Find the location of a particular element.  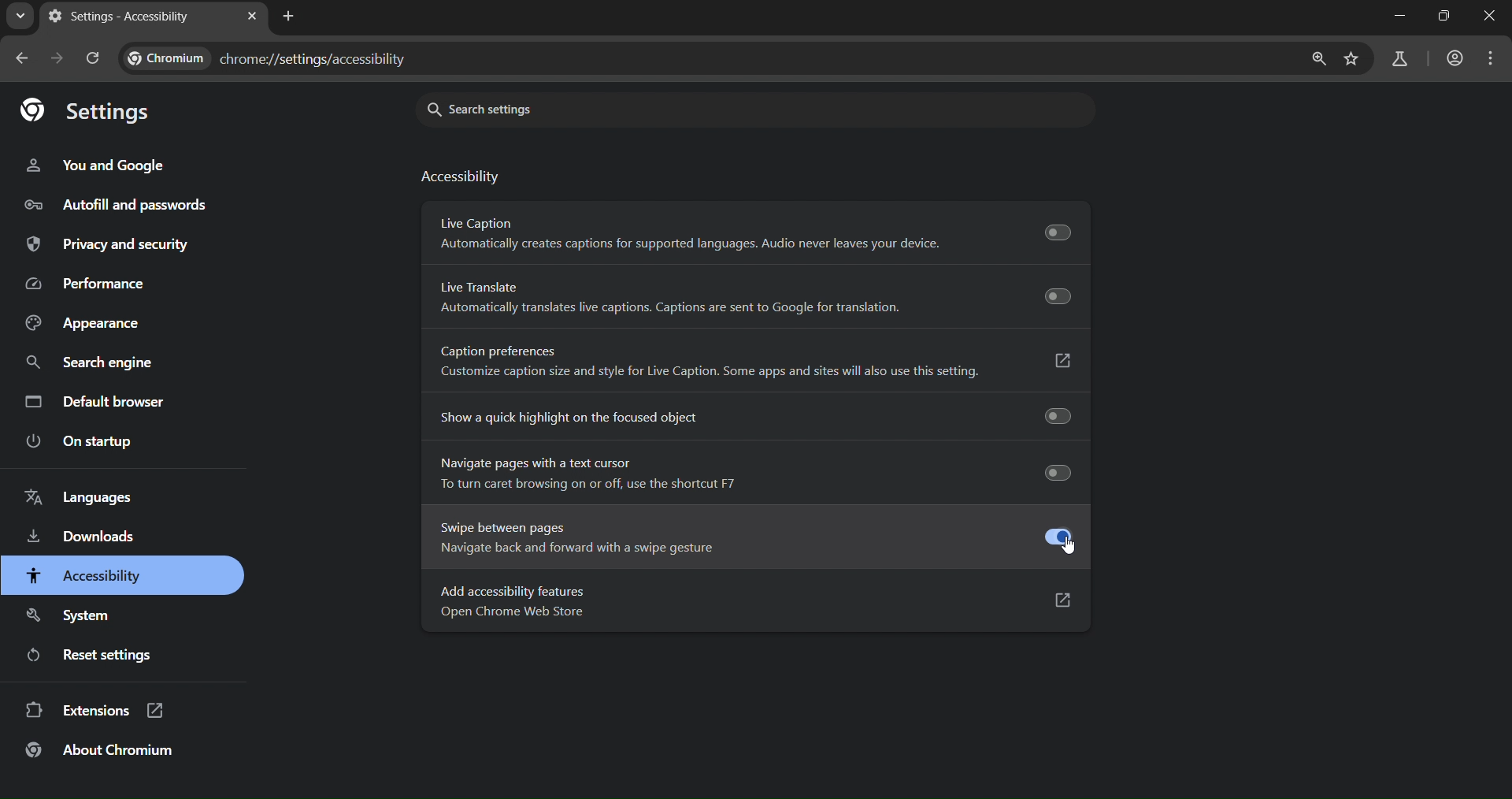

reload page is located at coordinates (95, 58).